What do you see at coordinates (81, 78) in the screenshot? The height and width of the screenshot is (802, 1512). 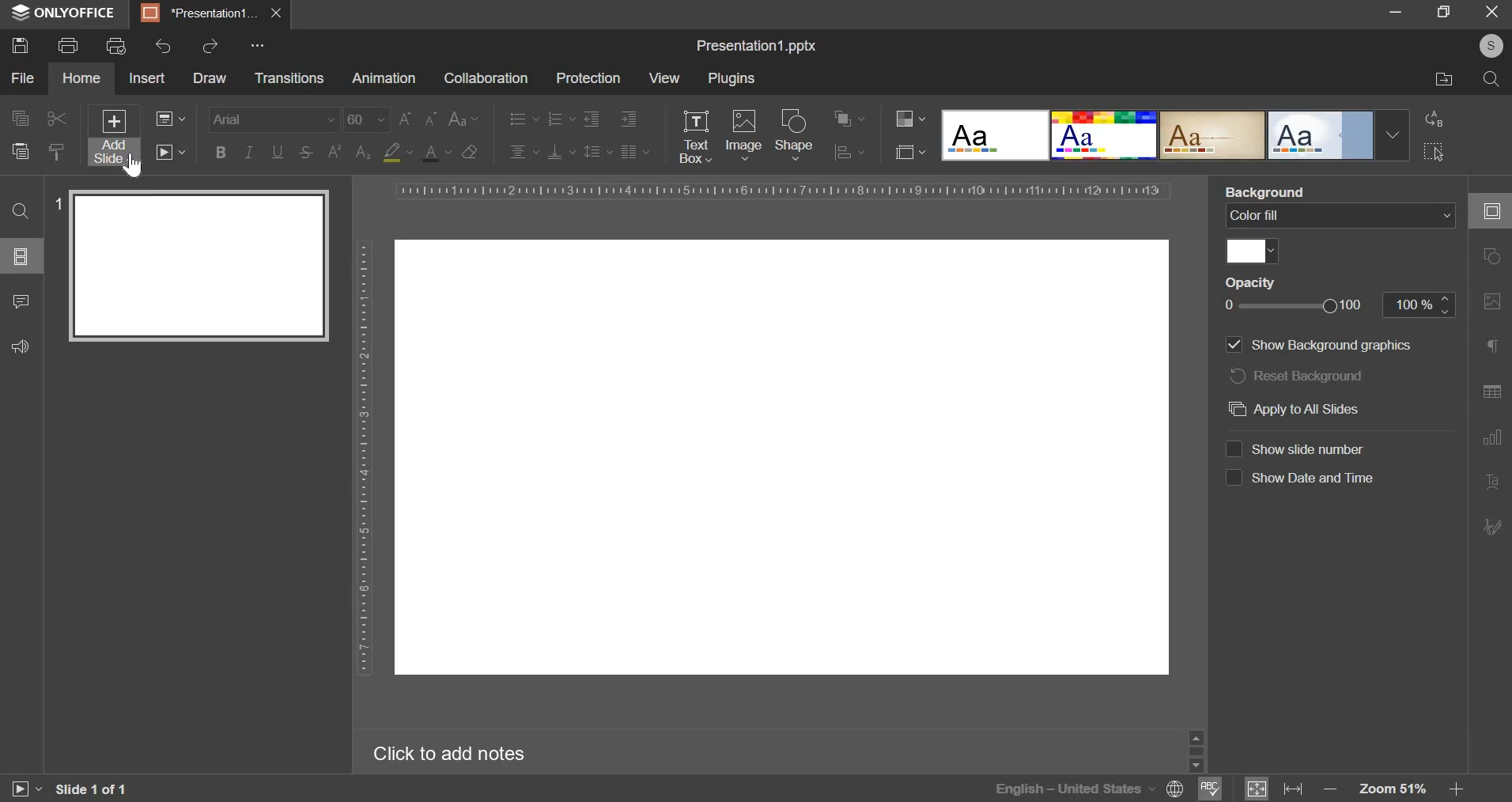 I see `home` at bounding box center [81, 78].